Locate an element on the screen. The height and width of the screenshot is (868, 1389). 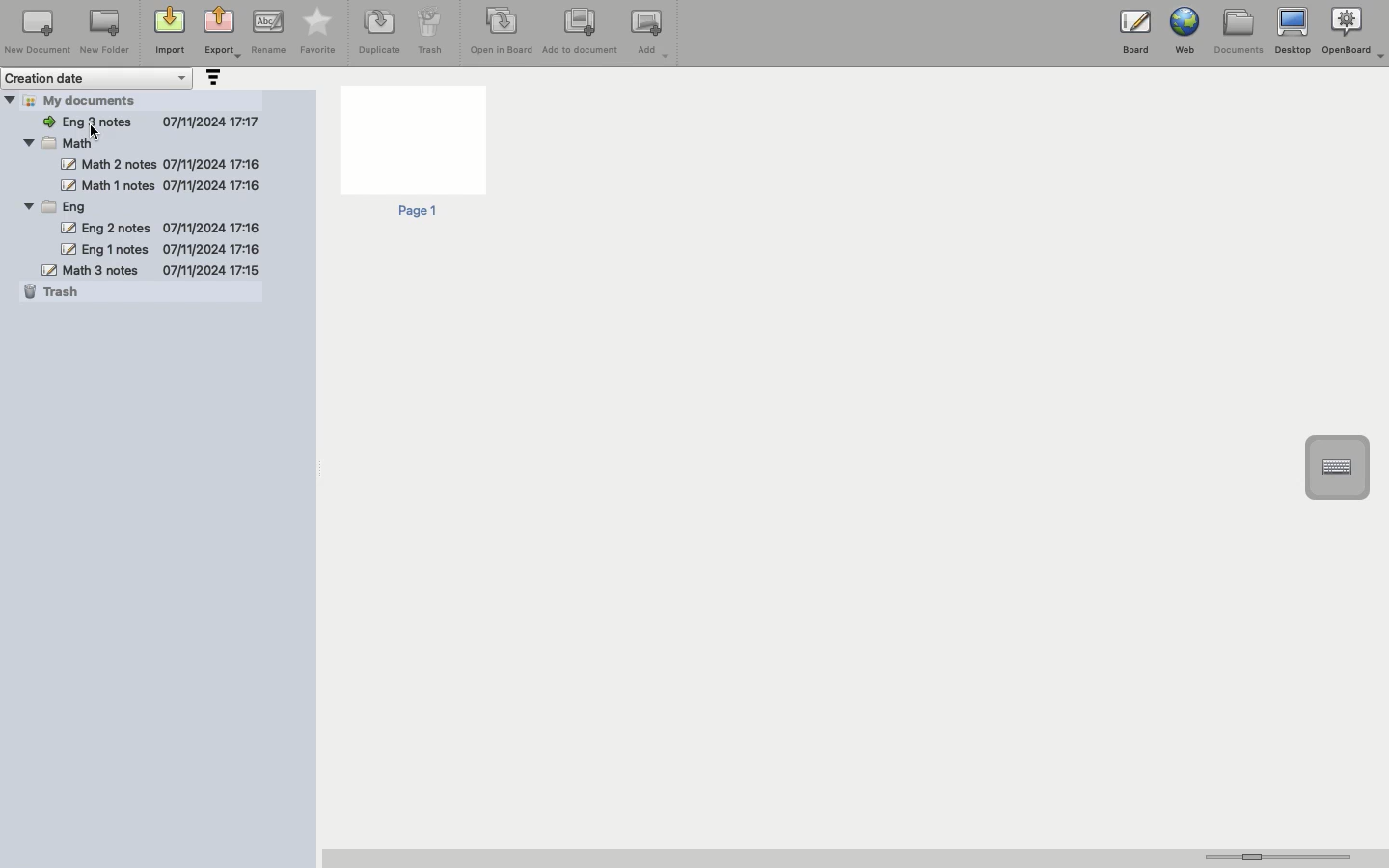
Text input is located at coordinates (1336, 468).